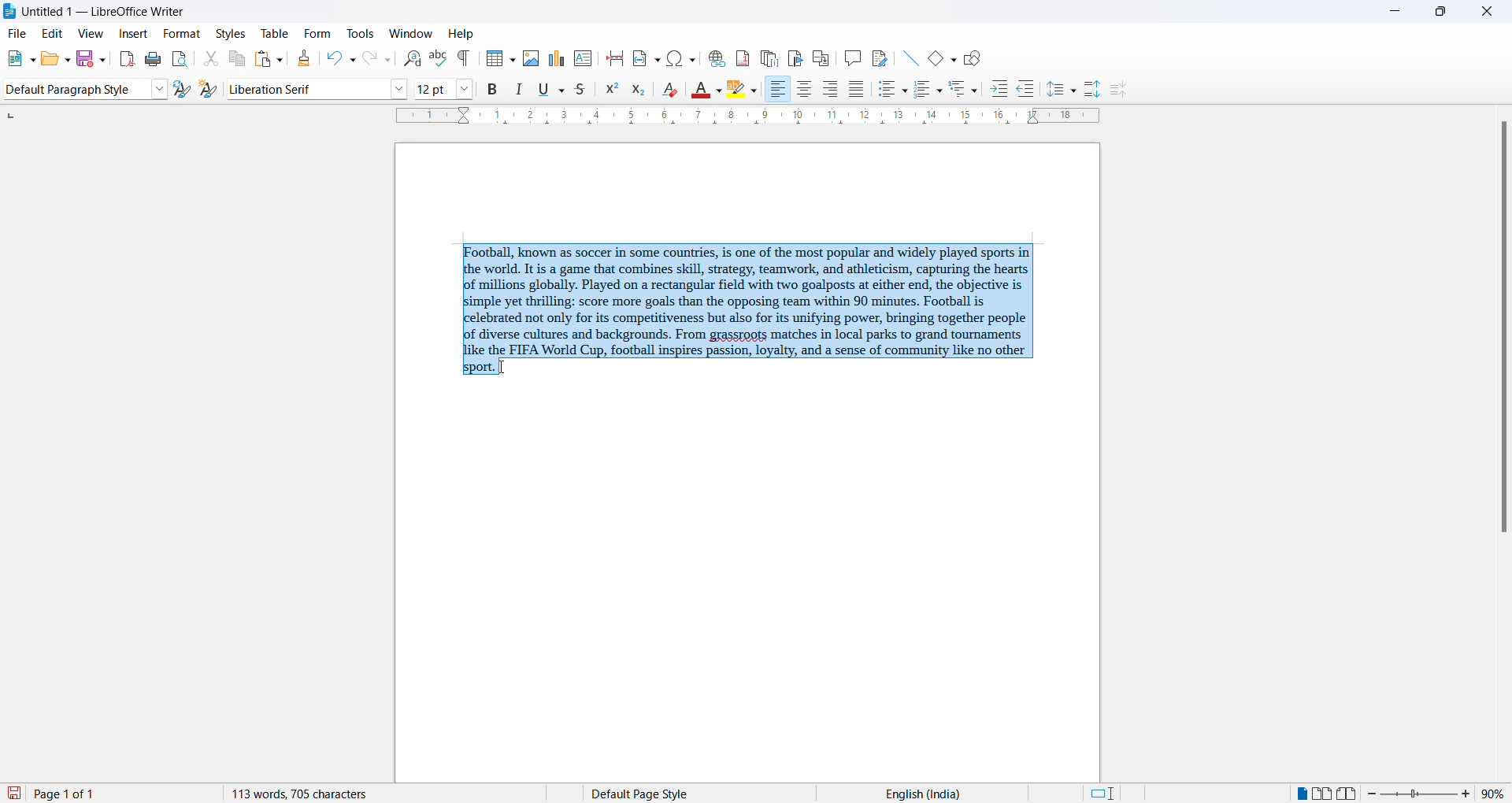  What do you see at coordinates (306, 58) in the screenshot?
I see `clone formatting` at bounding box center [306, 58].